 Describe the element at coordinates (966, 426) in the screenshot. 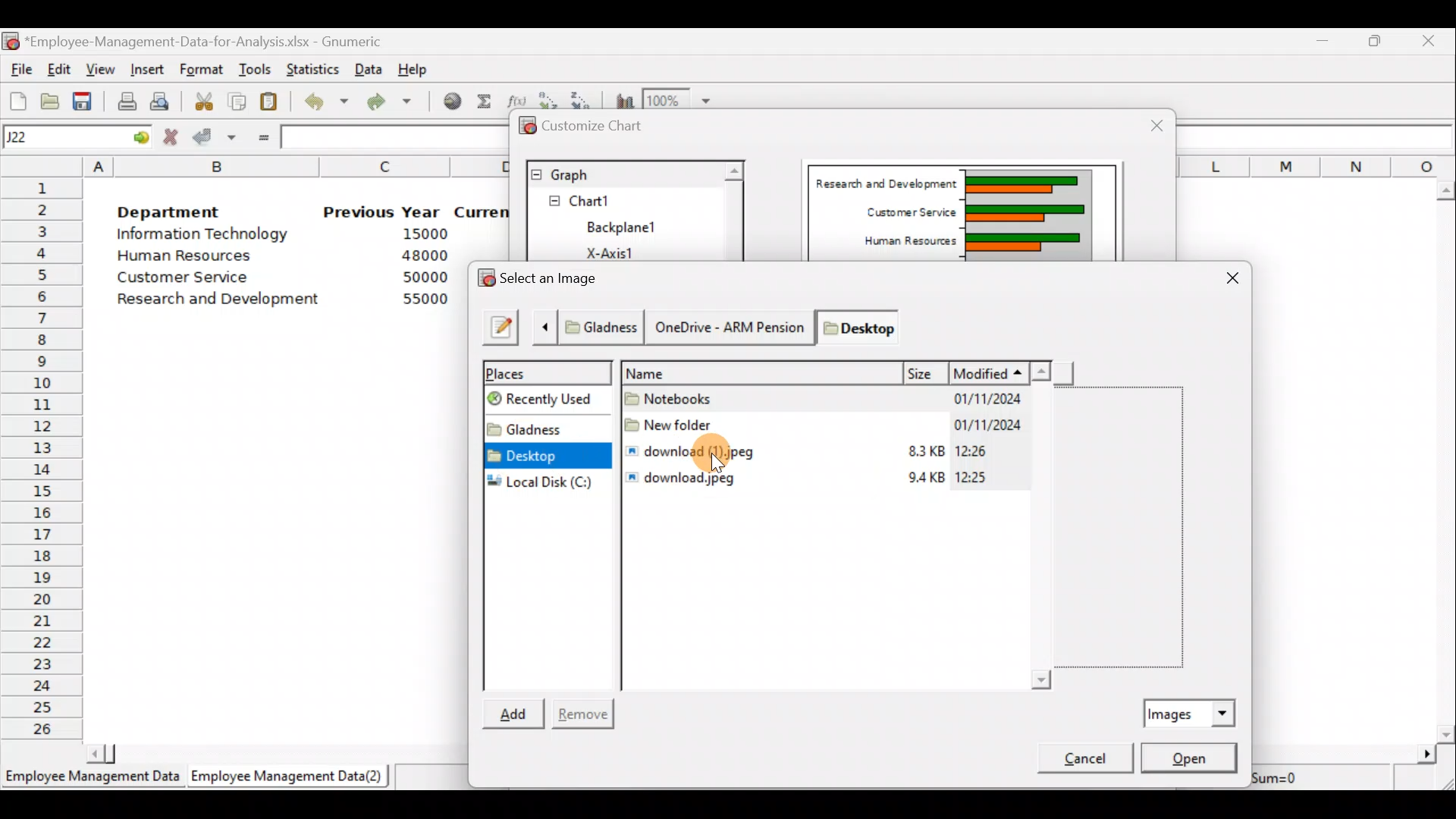

I see `01/11/2024` at that location.